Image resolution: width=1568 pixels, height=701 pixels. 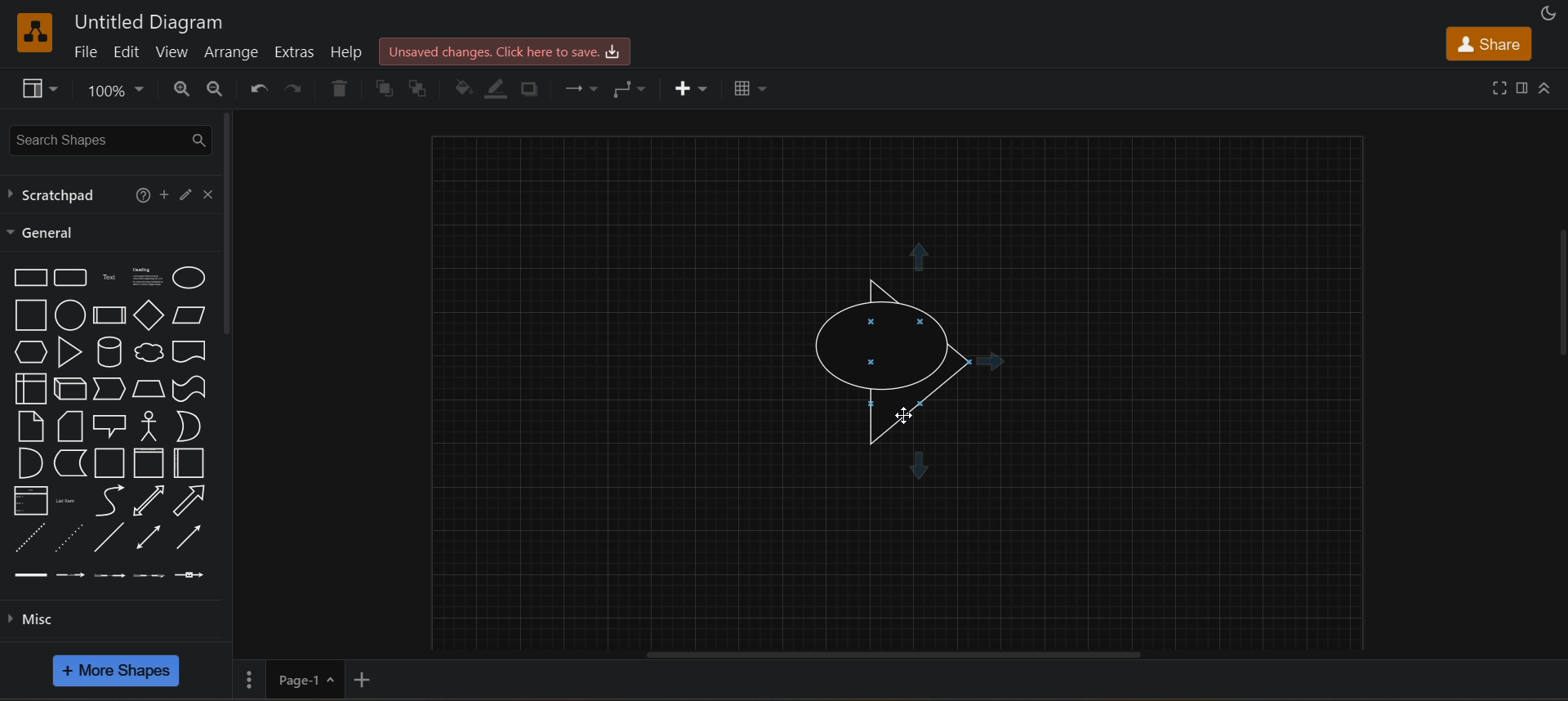 I want to click on hexagon, so click(x=28, y=352).